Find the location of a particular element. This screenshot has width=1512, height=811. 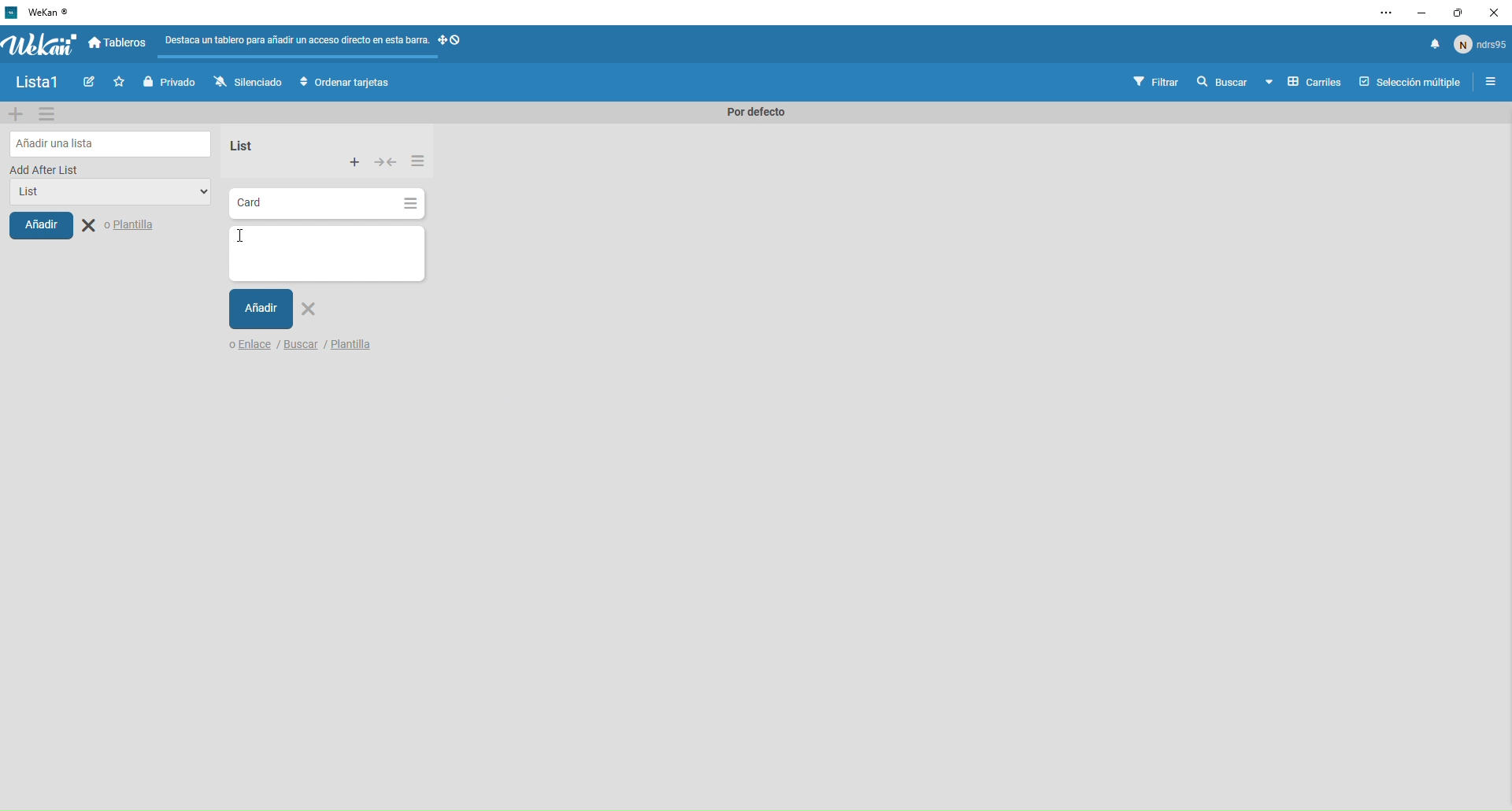

Add is located at coordinates (261, 309).